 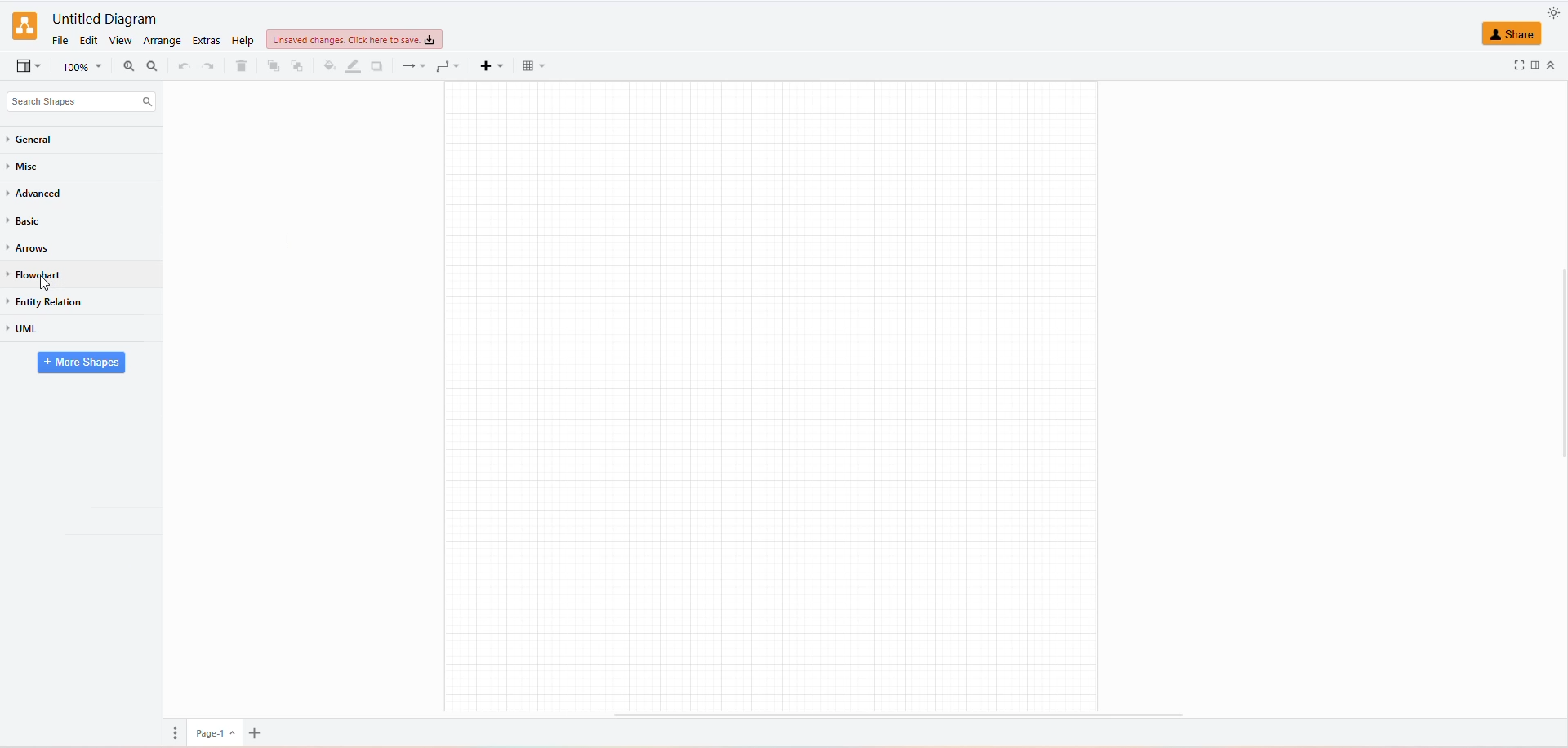 I want to click on ENTITY RELATION, so click(x=49, y=304).